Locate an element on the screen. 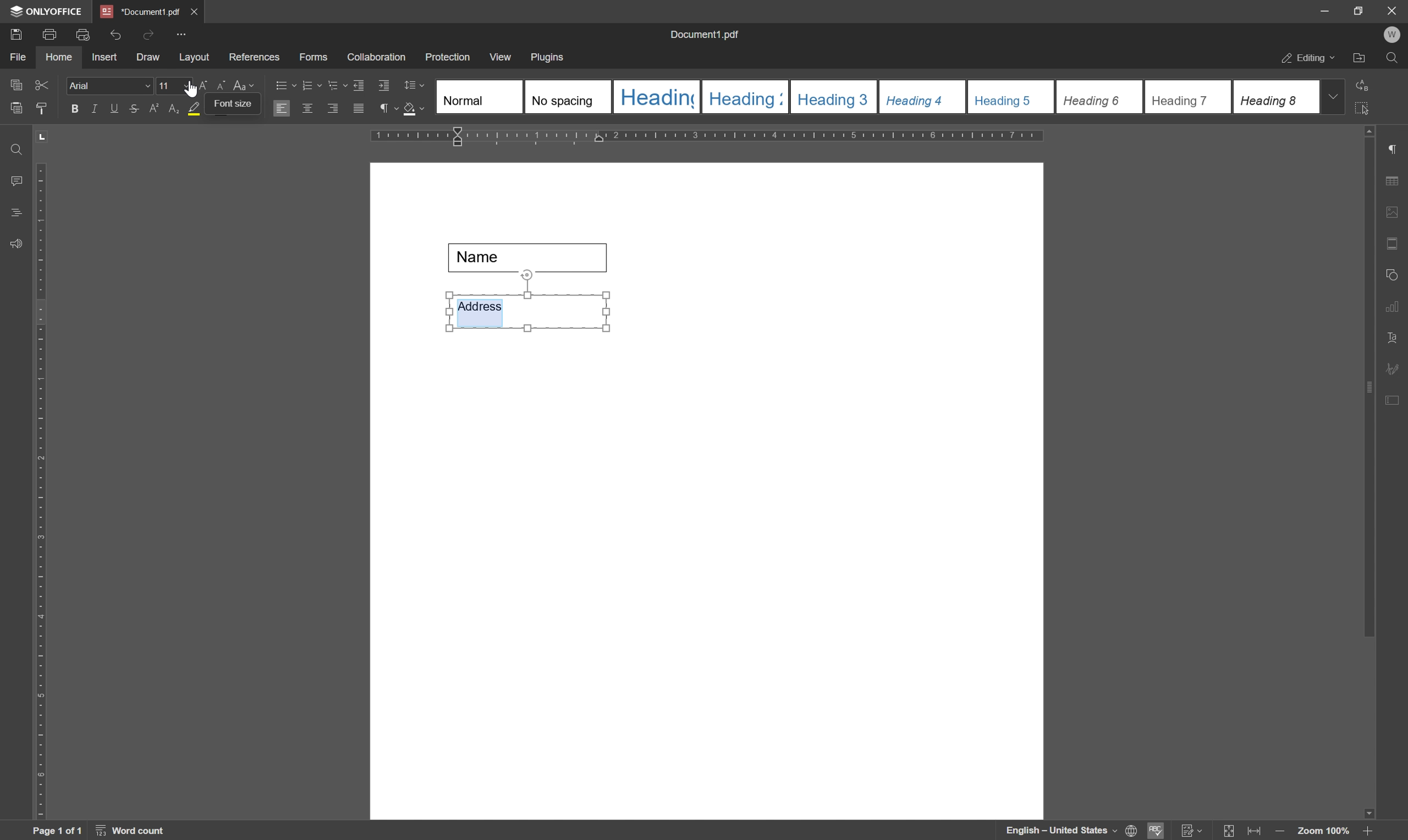  draw is located at coordinates (148, 58).